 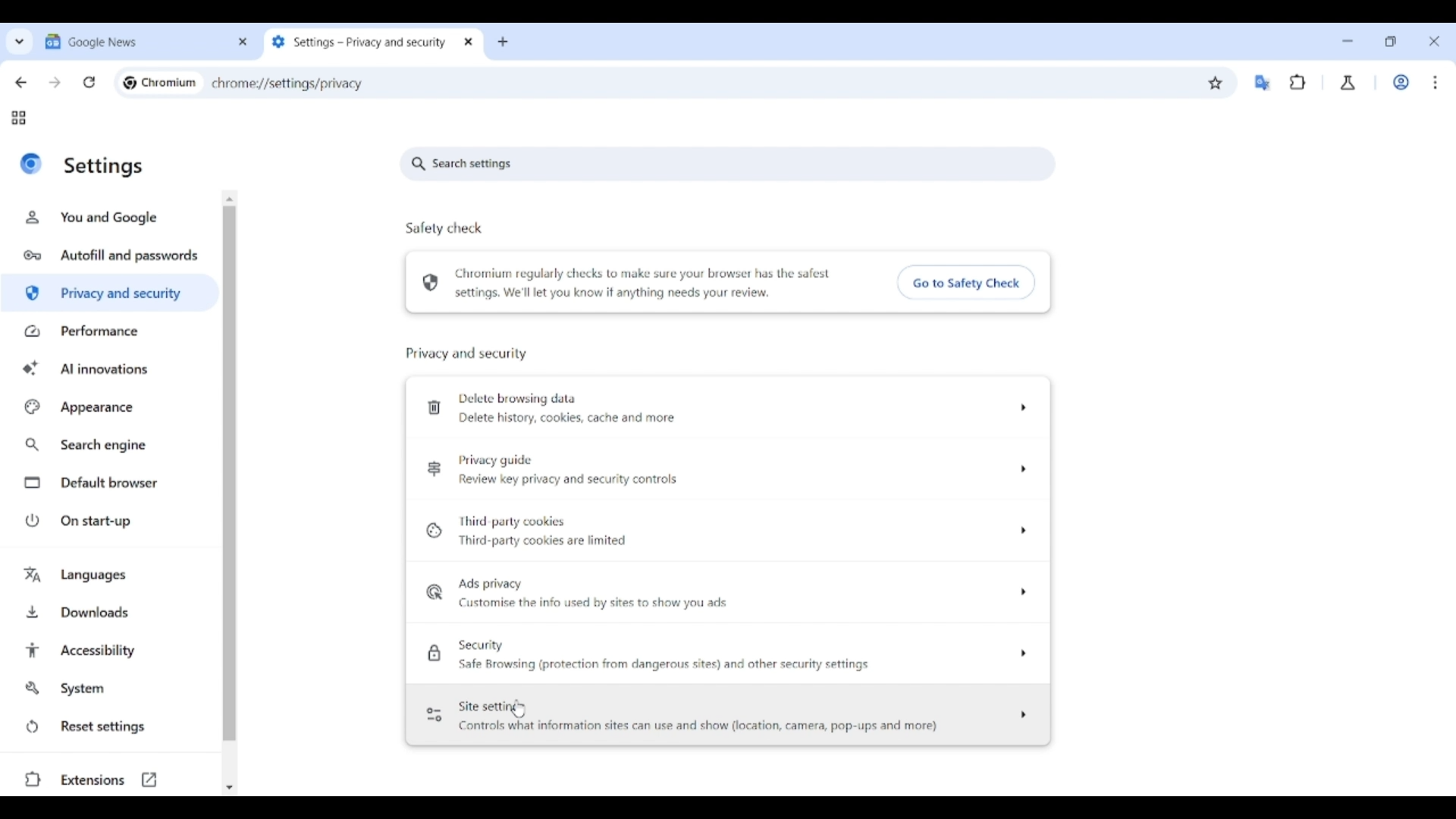 What do you see at coordinates (169, 82) in the screenshot?
I see `Chromium` at bounding box center [169, 82].